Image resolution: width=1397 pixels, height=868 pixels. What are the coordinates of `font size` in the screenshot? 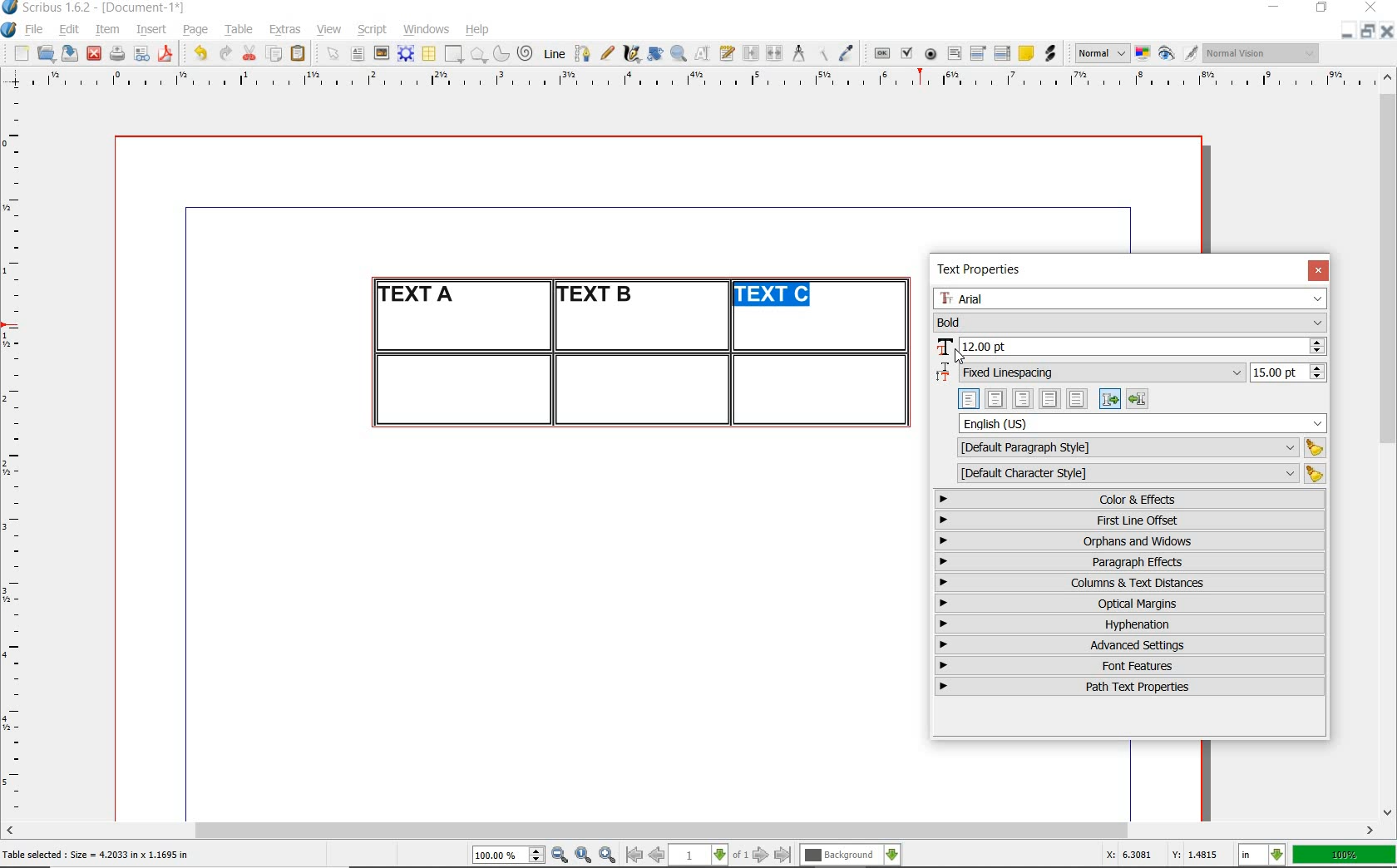 It's located at (1130, 348).